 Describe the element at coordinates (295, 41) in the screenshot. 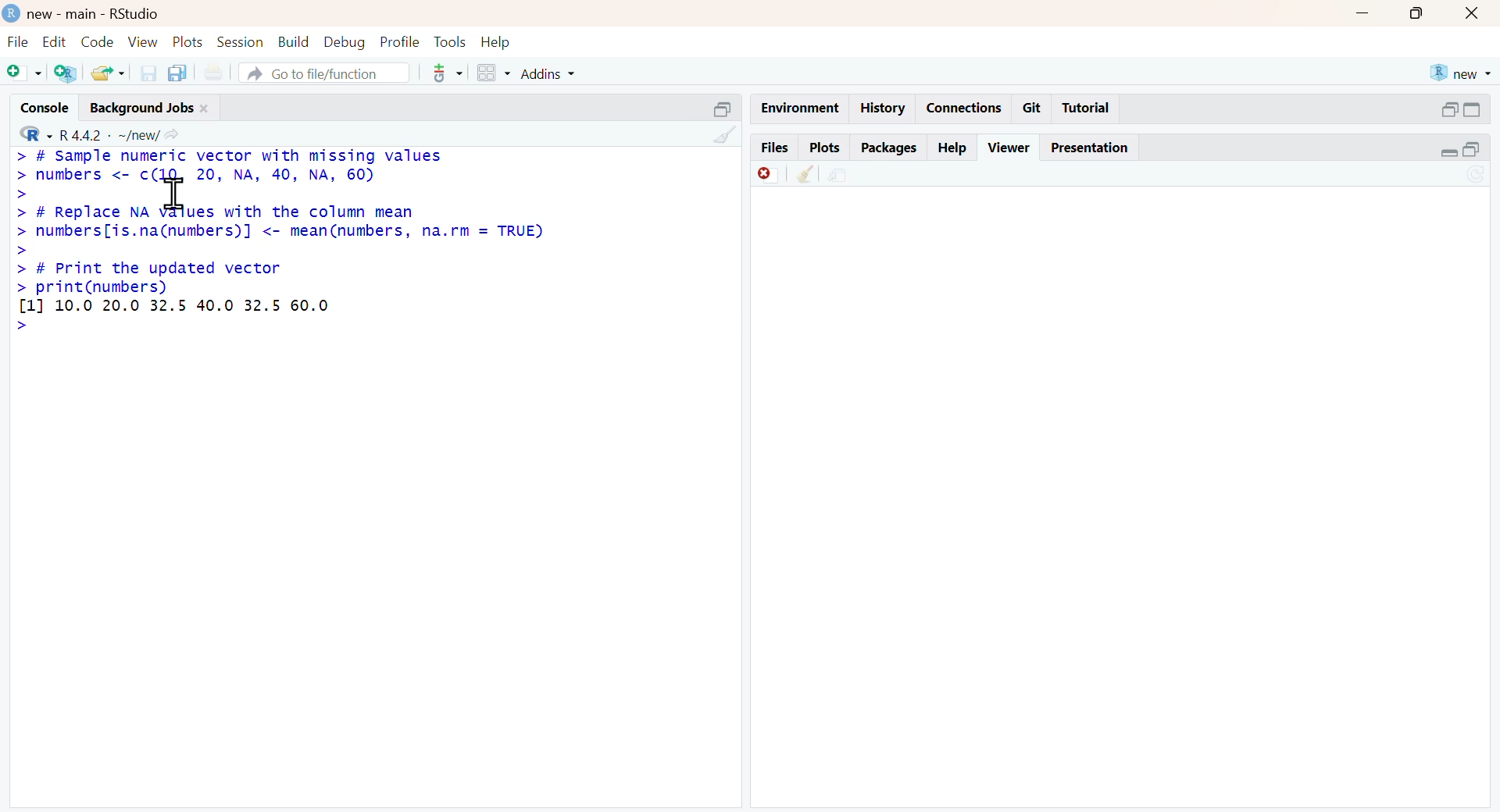

I see `build` at that location.